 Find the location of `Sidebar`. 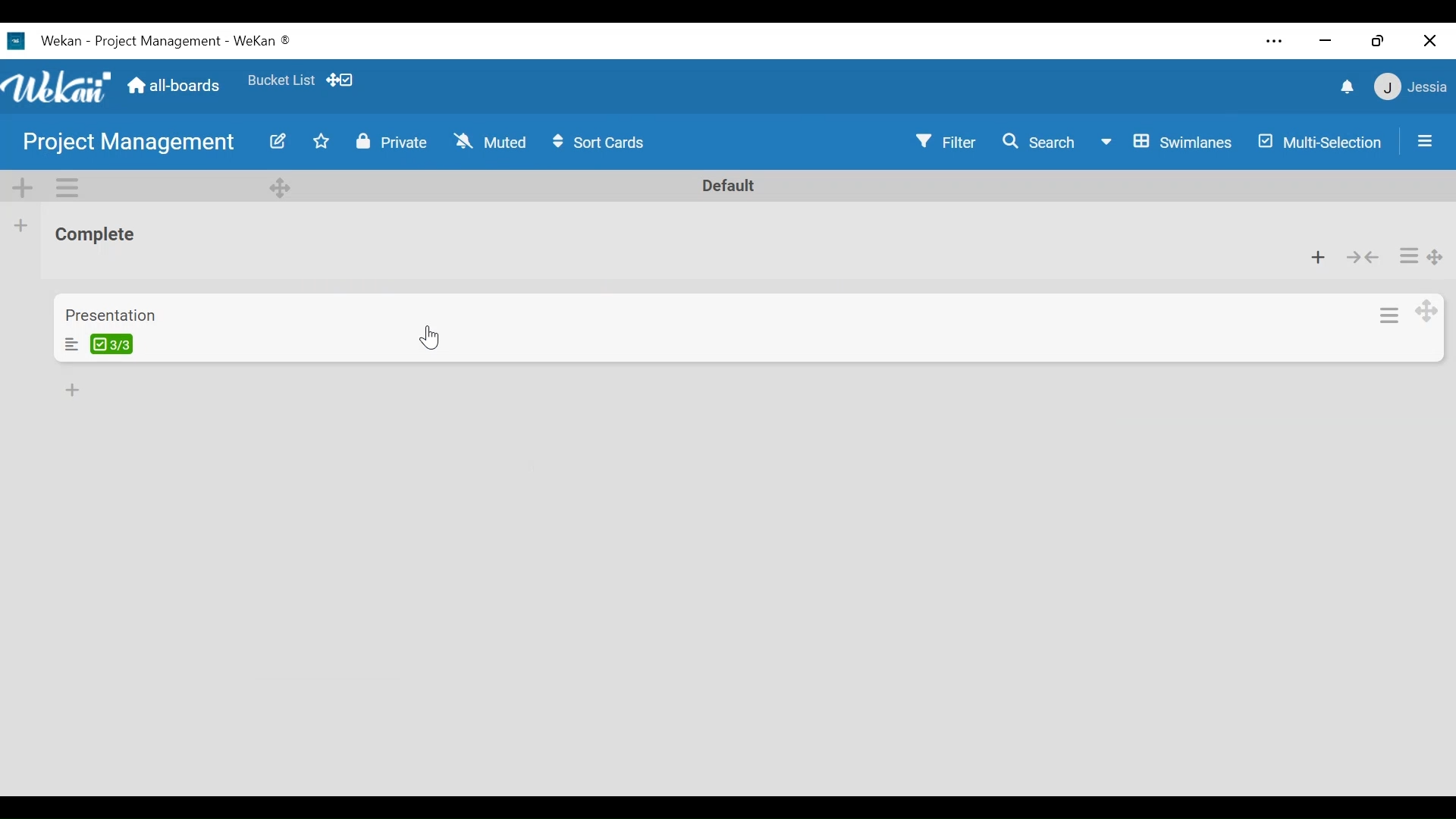

Sidebar is located at coordinates (1426, 140).